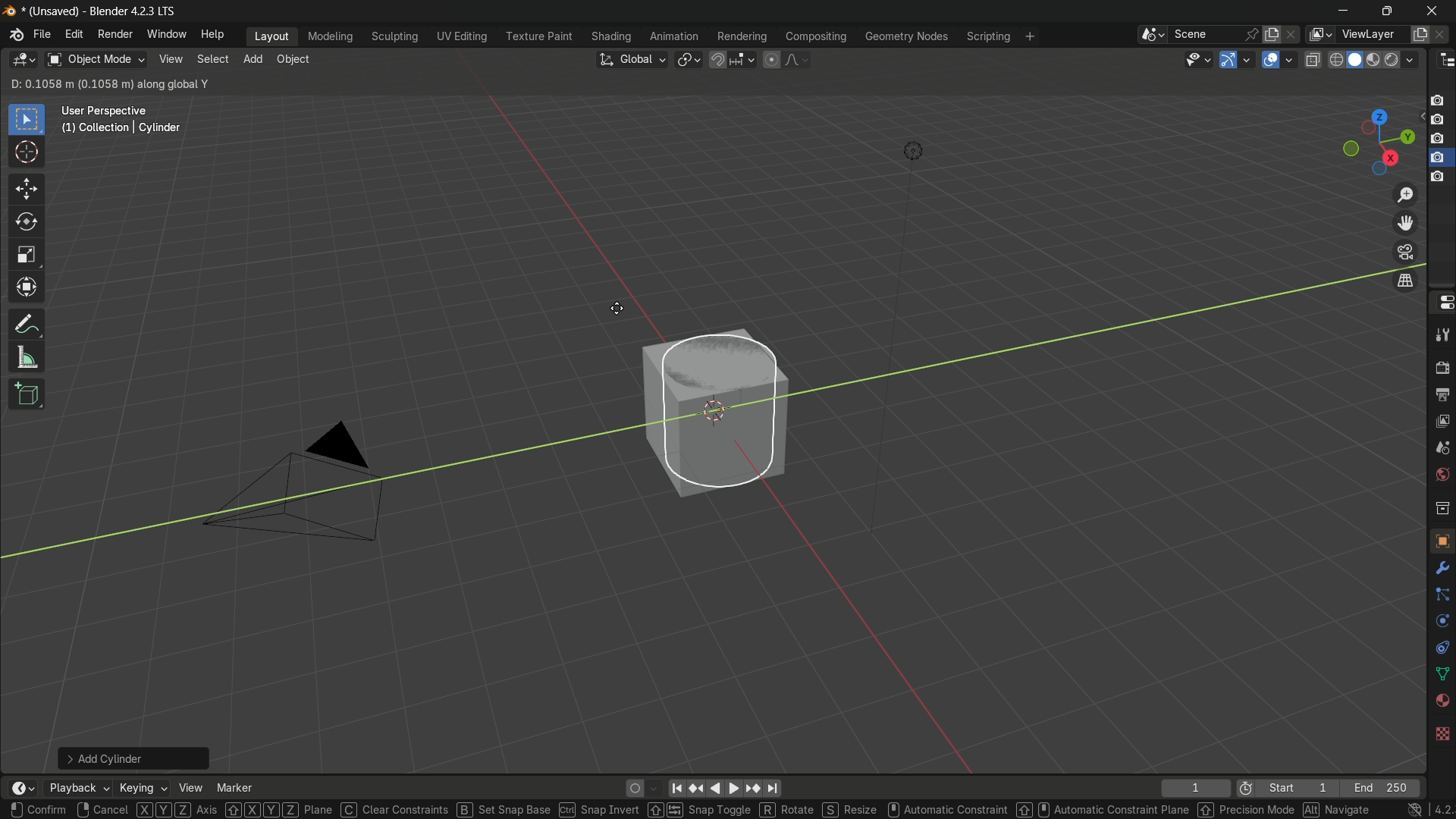 This screenshot has height=819, width=1456. I want to click on background, so click(1442, 735).